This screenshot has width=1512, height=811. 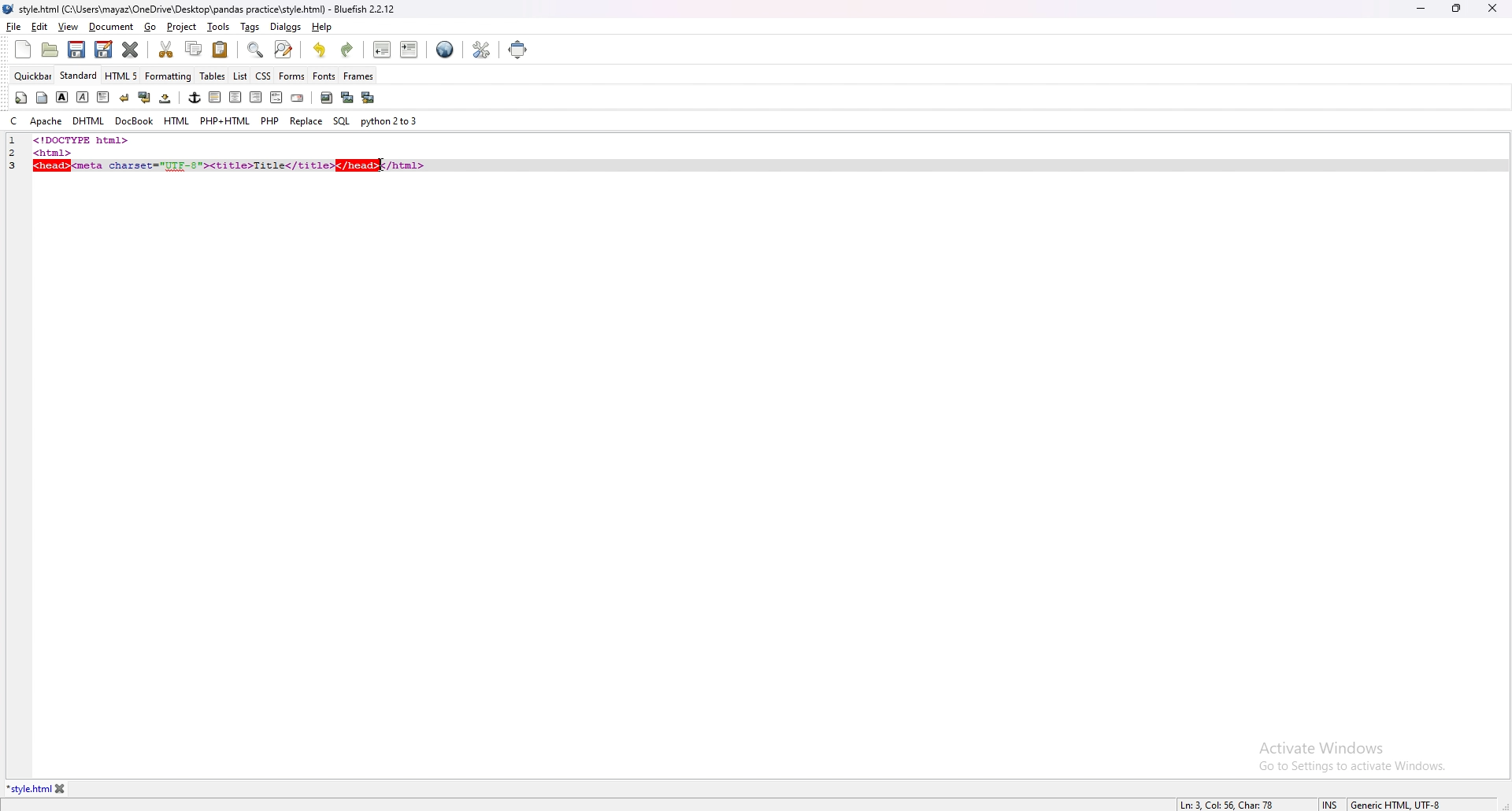 I want to click on sql, so click(x=341, y=120).